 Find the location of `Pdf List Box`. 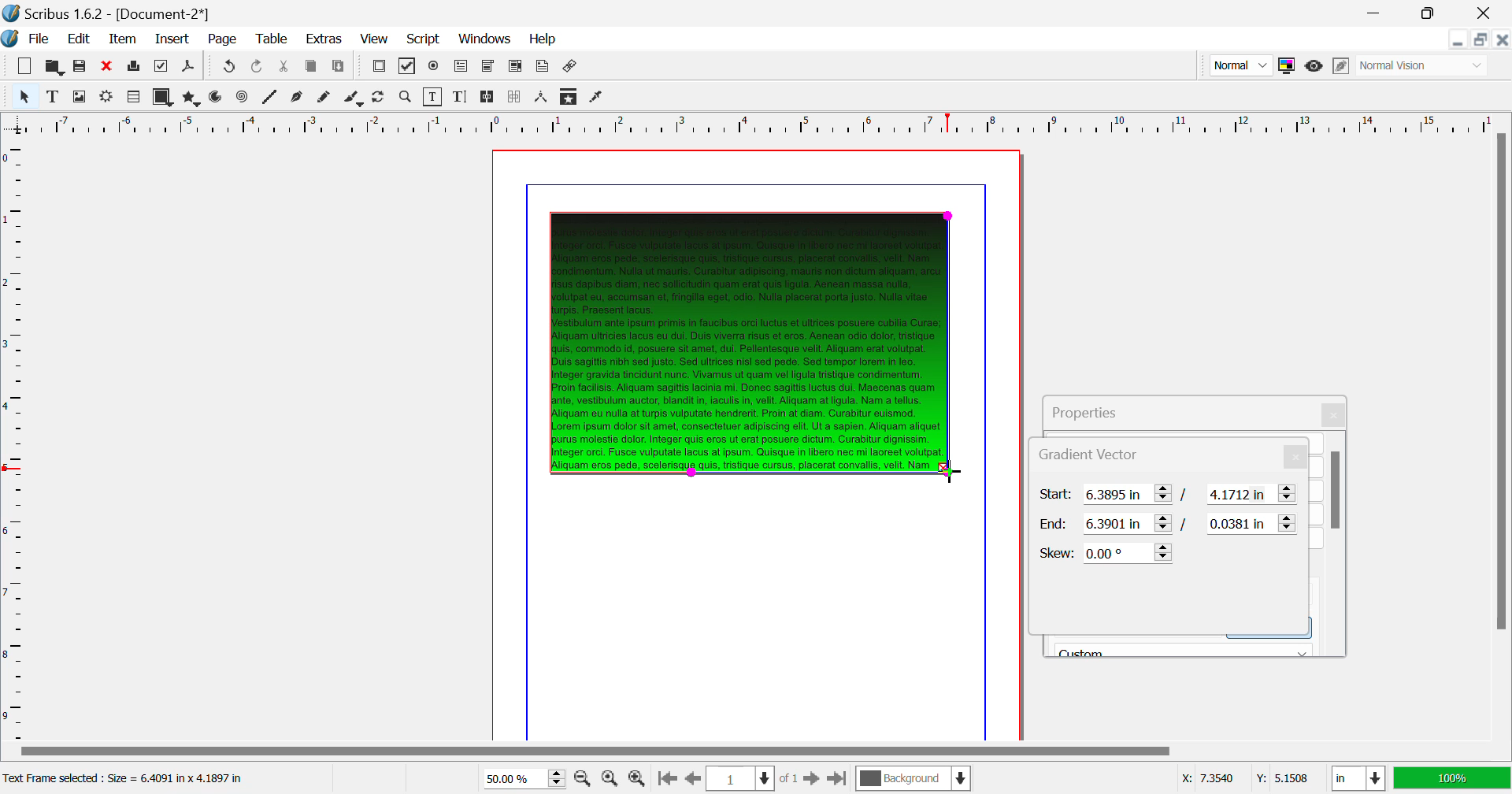

Pdf List Box is located at coordinates (515, 68).